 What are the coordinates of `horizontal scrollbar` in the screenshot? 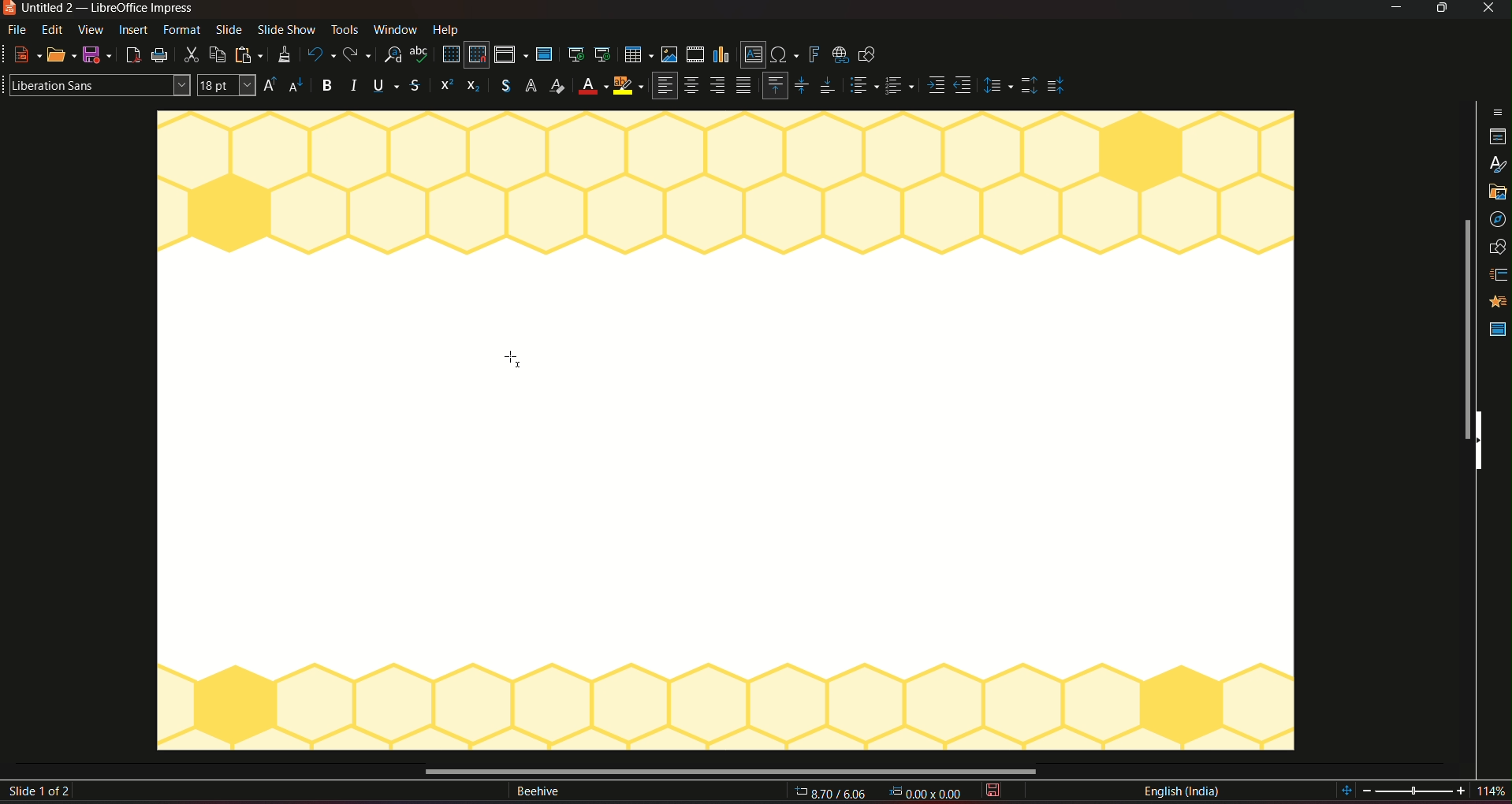 It's located at (736, 771).